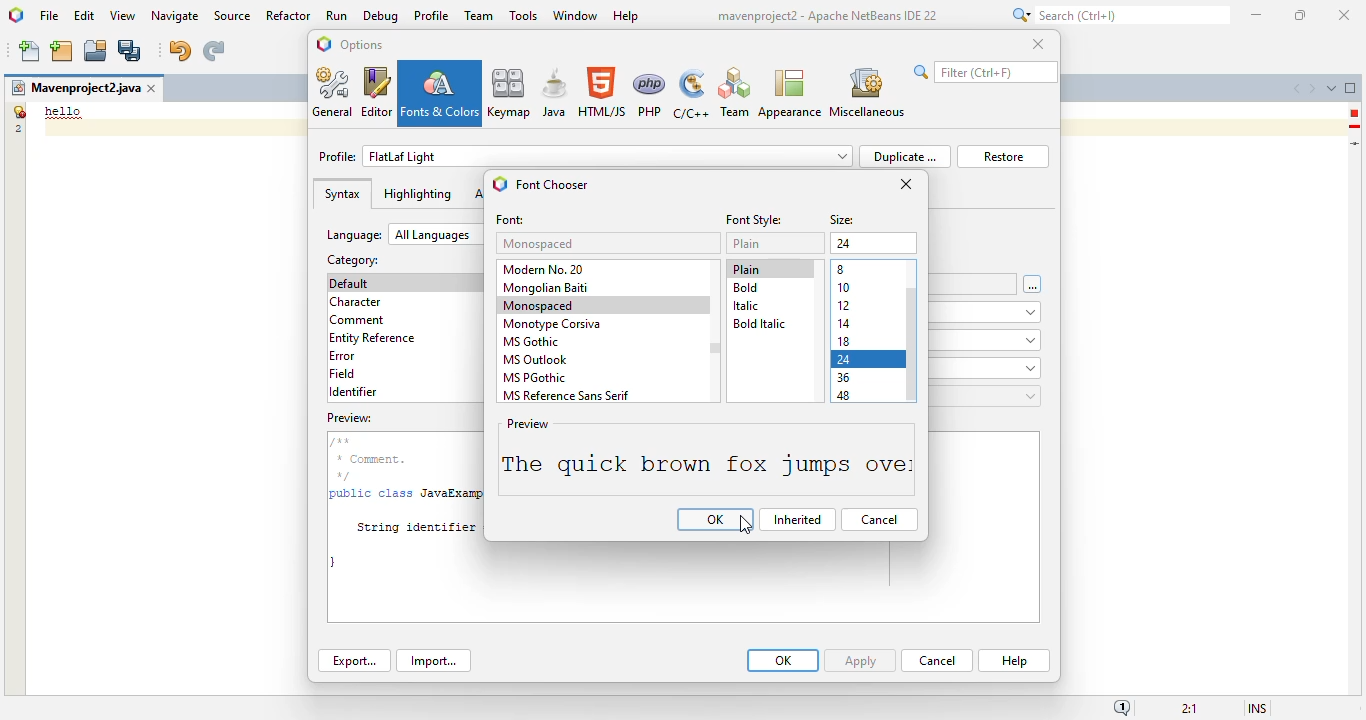 The image size is (1366, 720). What do you see at coordinates (479, 15) in the screenshot?
I see `team` at bounding box center [479, 15].